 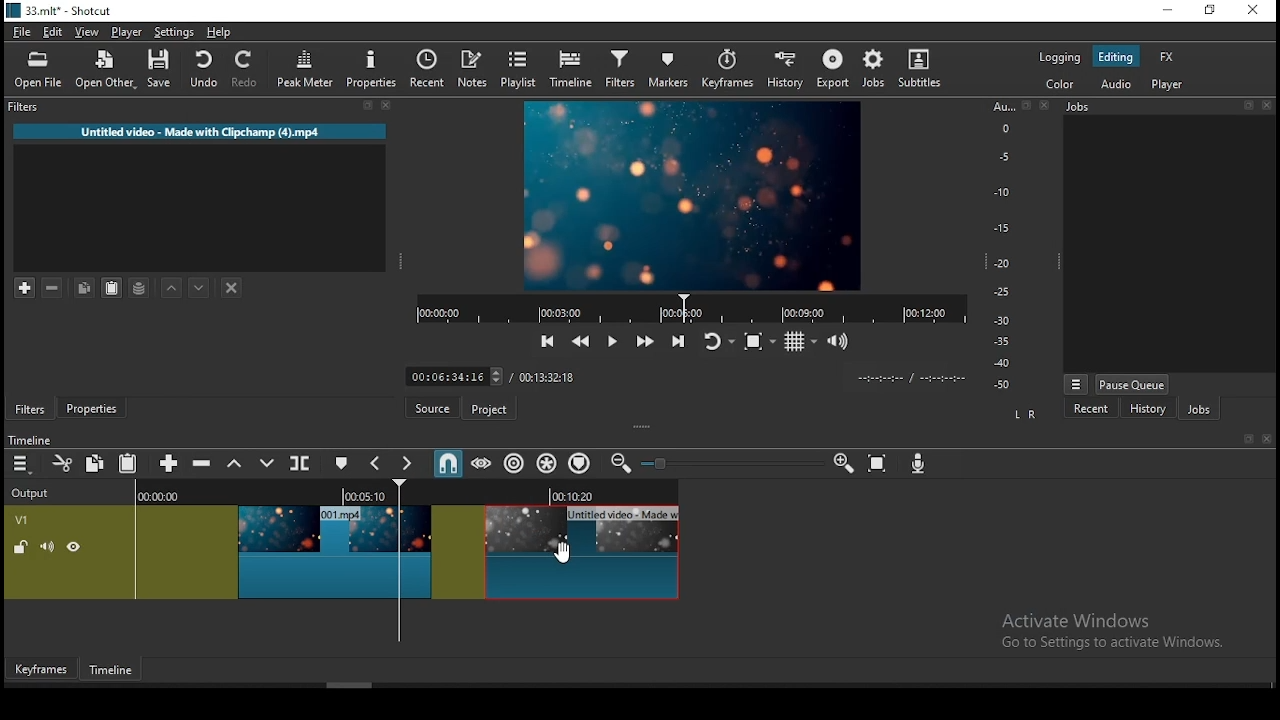 I want to click on playlist, so click(x=520, y=70).